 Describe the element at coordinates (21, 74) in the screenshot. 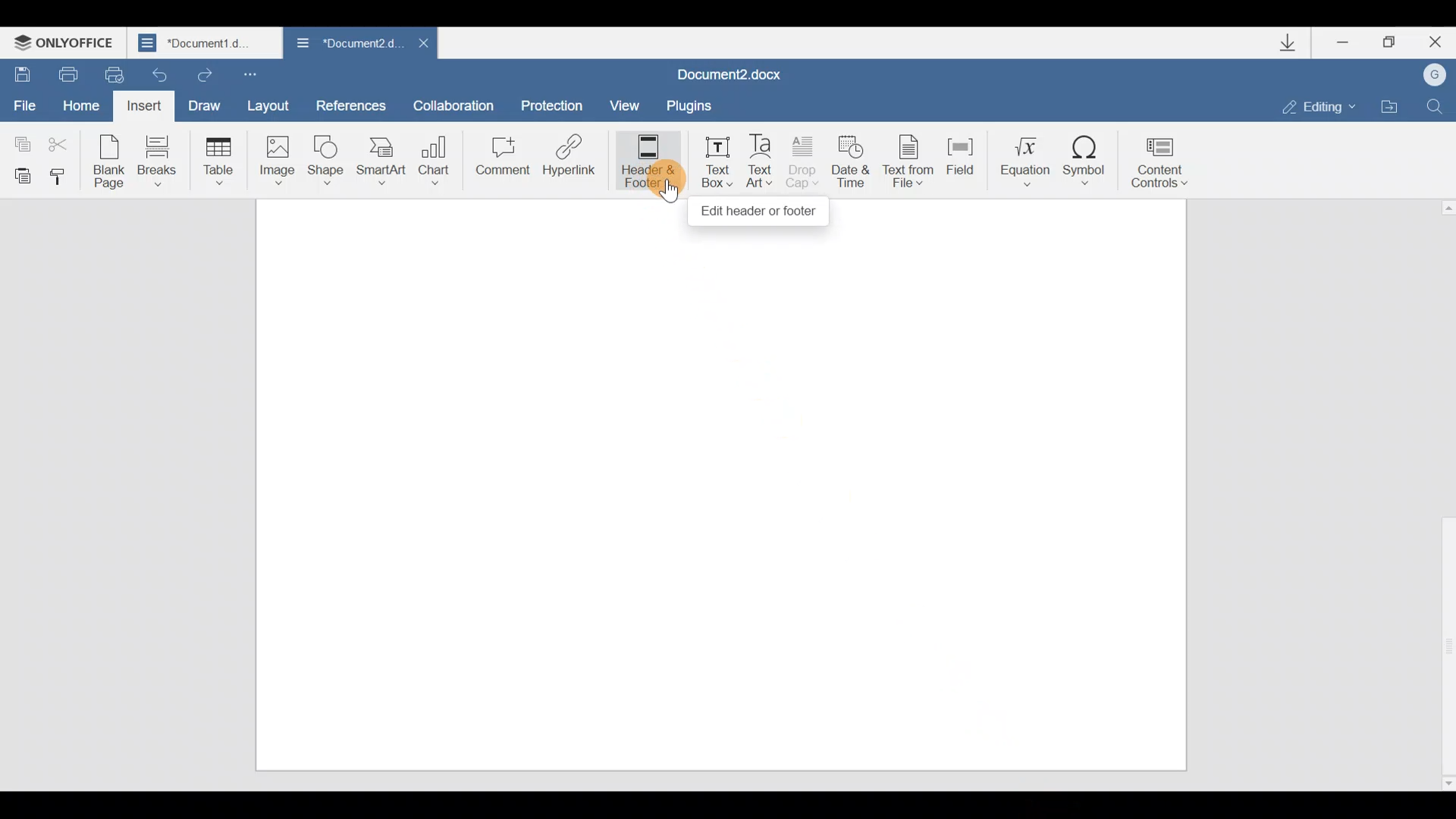

I see `Save` at that location.